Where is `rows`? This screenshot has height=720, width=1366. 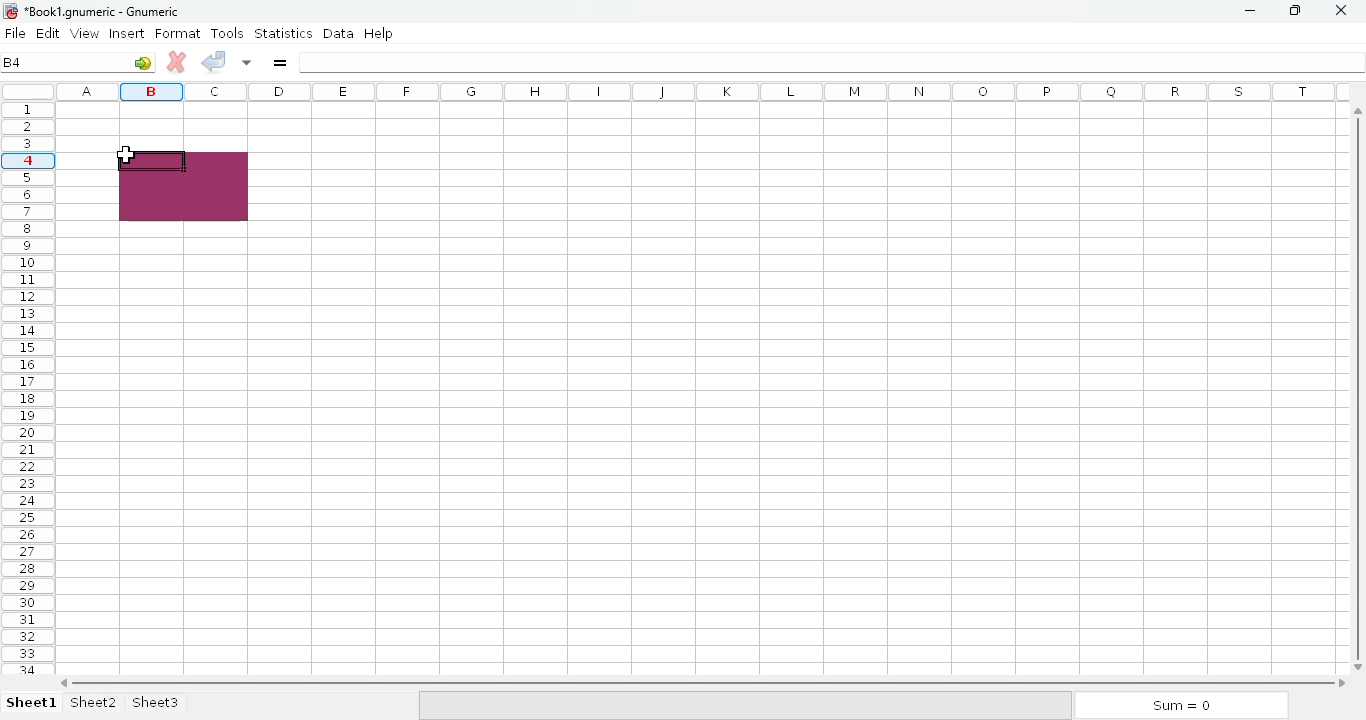 rows is located at coordinates (29, 388).